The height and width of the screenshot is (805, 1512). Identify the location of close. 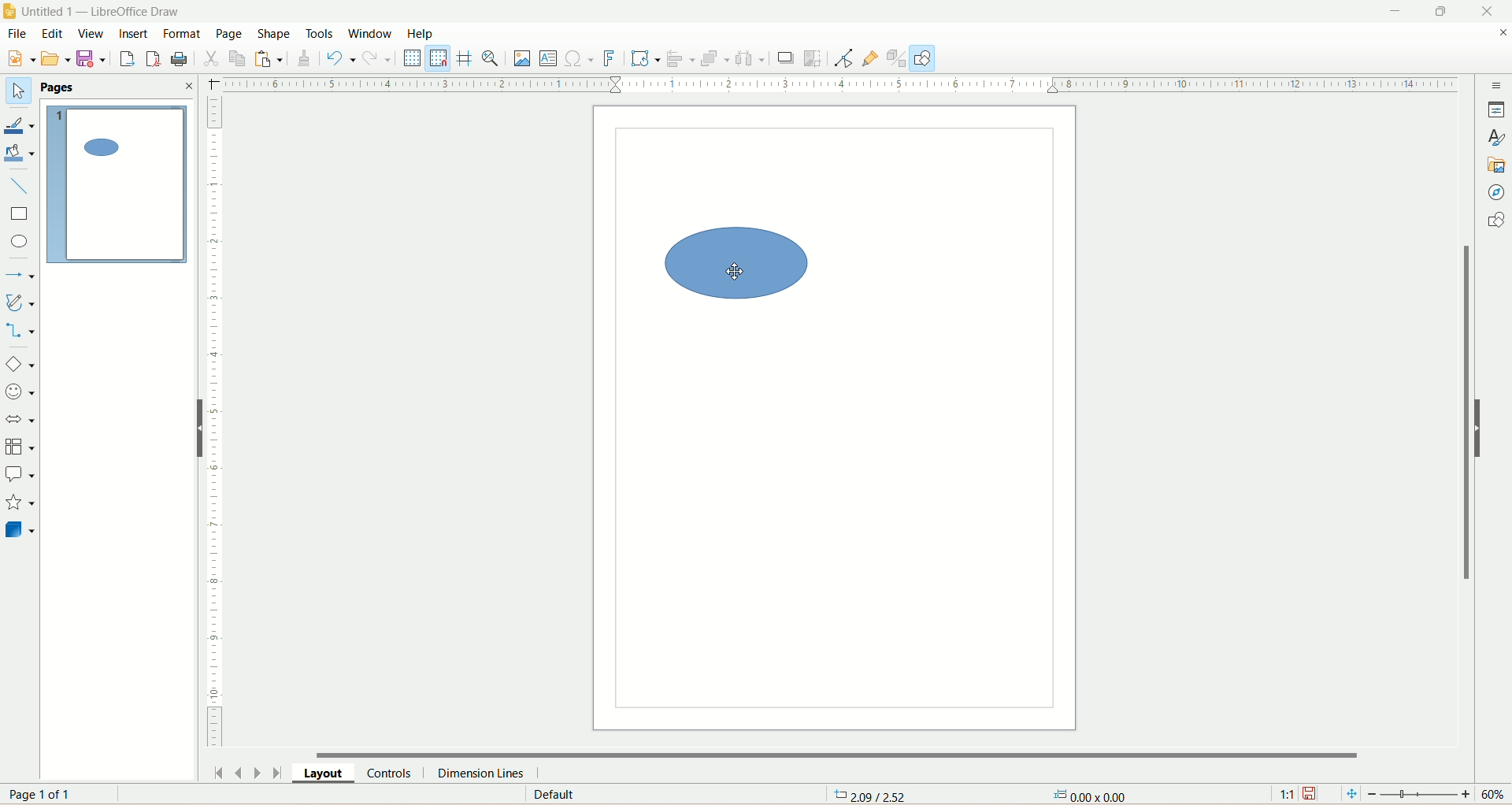
(1494, 10).